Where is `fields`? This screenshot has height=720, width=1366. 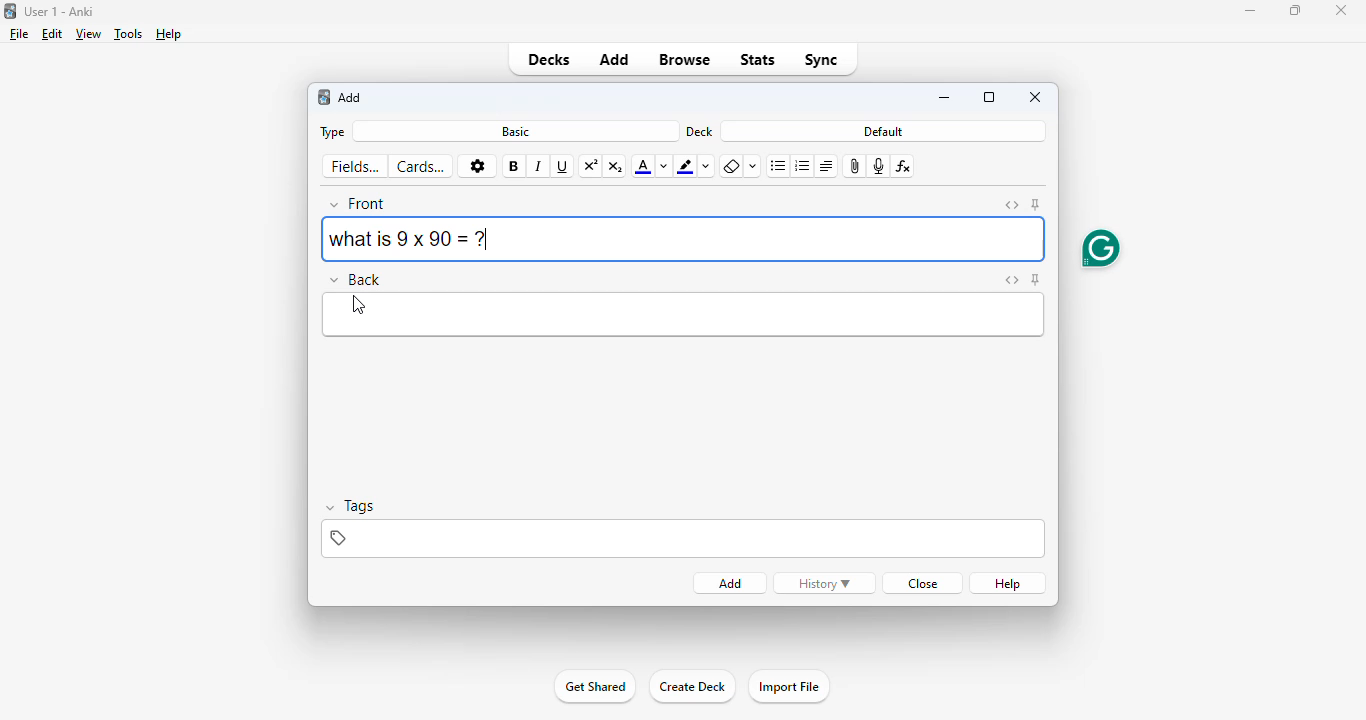 fields is located at coordinates (356, 167).